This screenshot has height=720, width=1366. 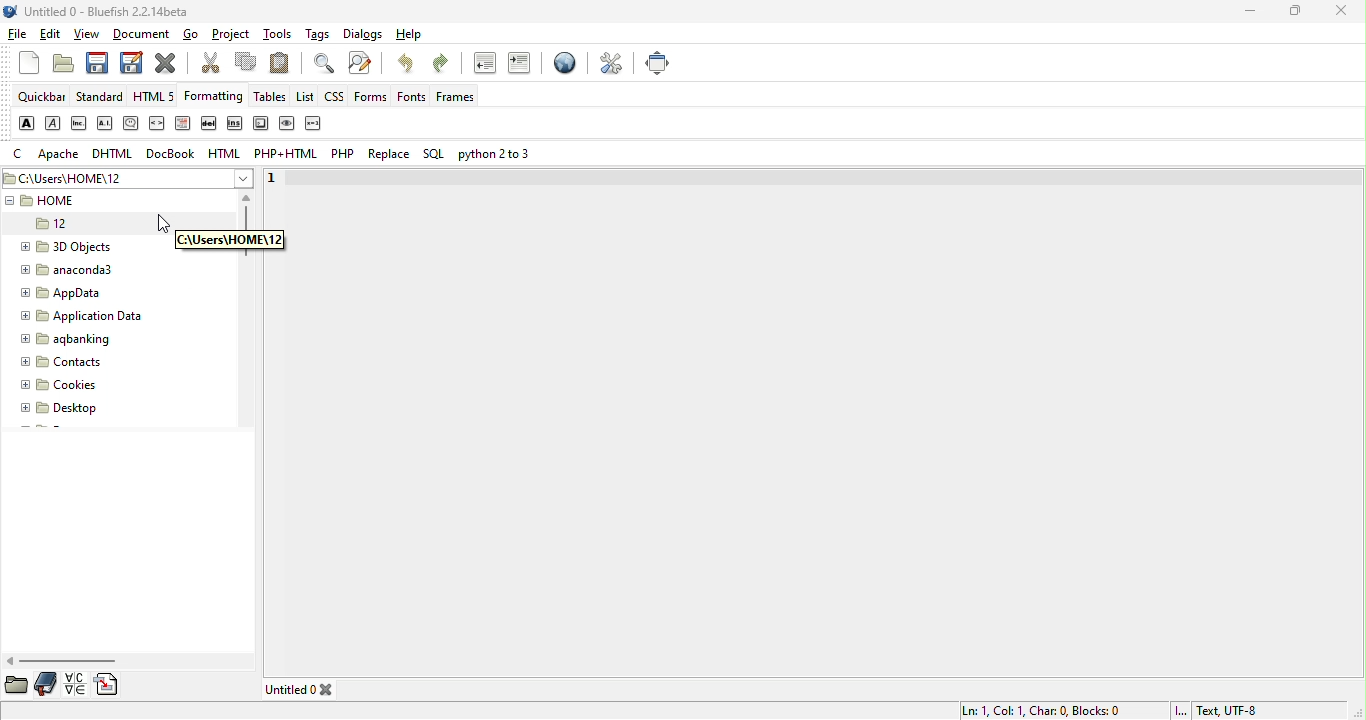 I want to click on minimize, so click(x=1254, y=14).